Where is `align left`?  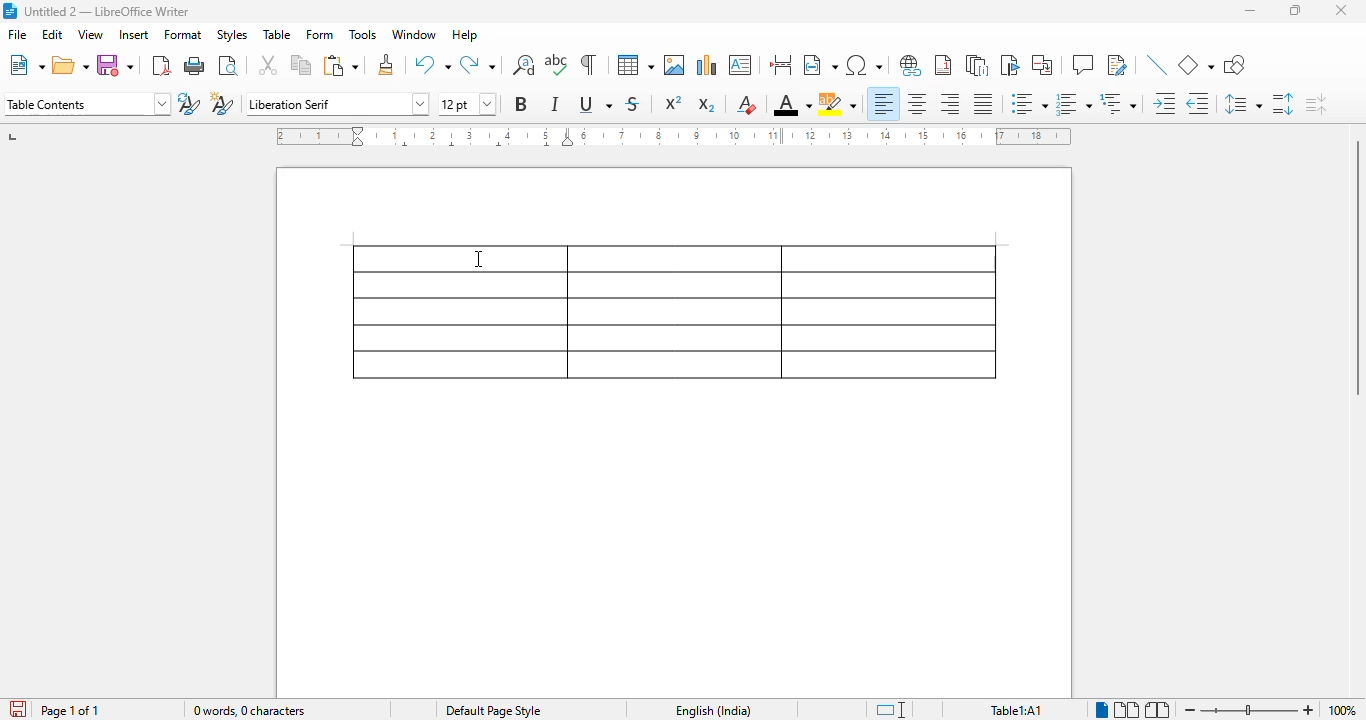
align left is located at coordinates (884, 104).